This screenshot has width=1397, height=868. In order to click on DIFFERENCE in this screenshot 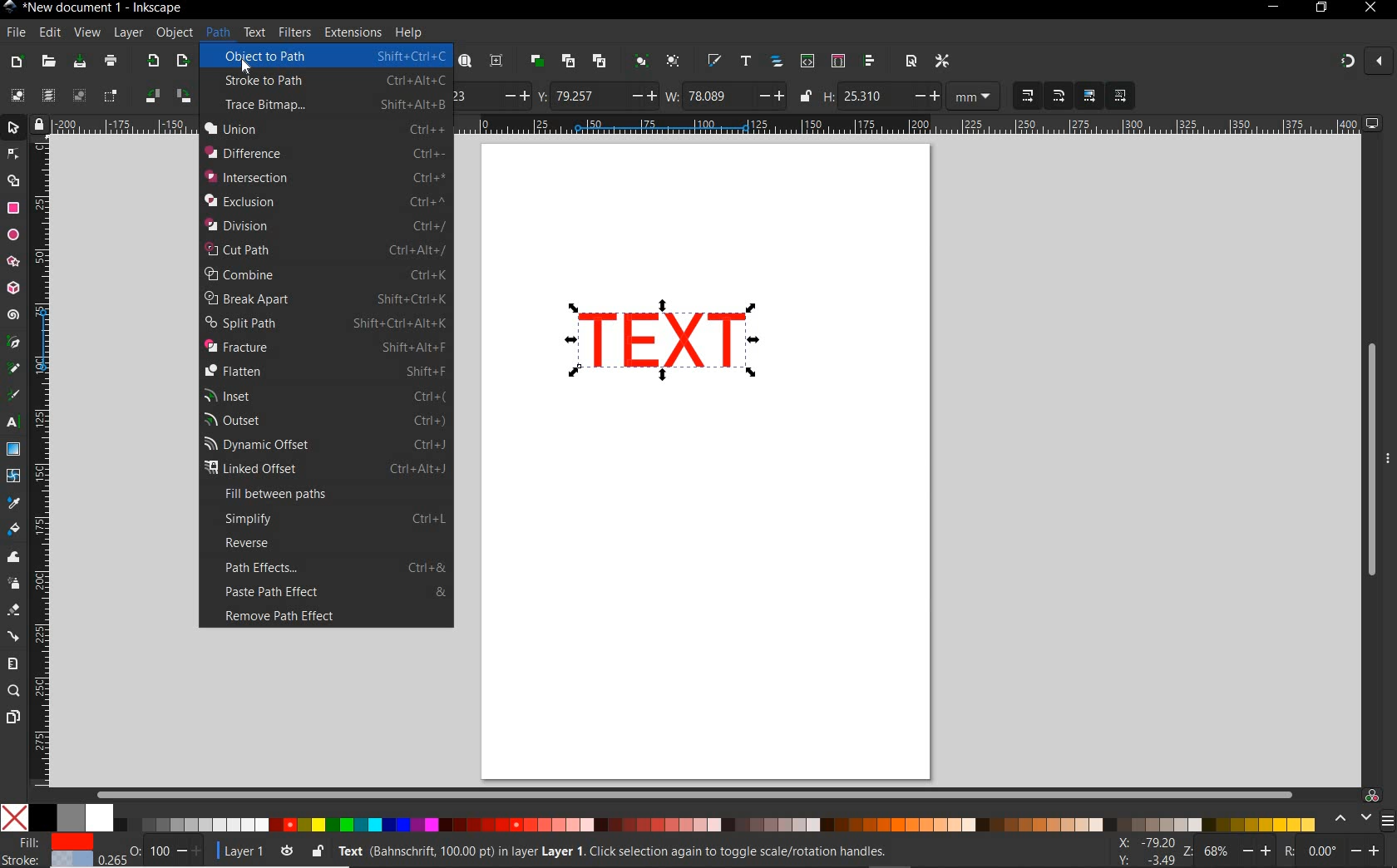, I will do `click(323, 153)`.